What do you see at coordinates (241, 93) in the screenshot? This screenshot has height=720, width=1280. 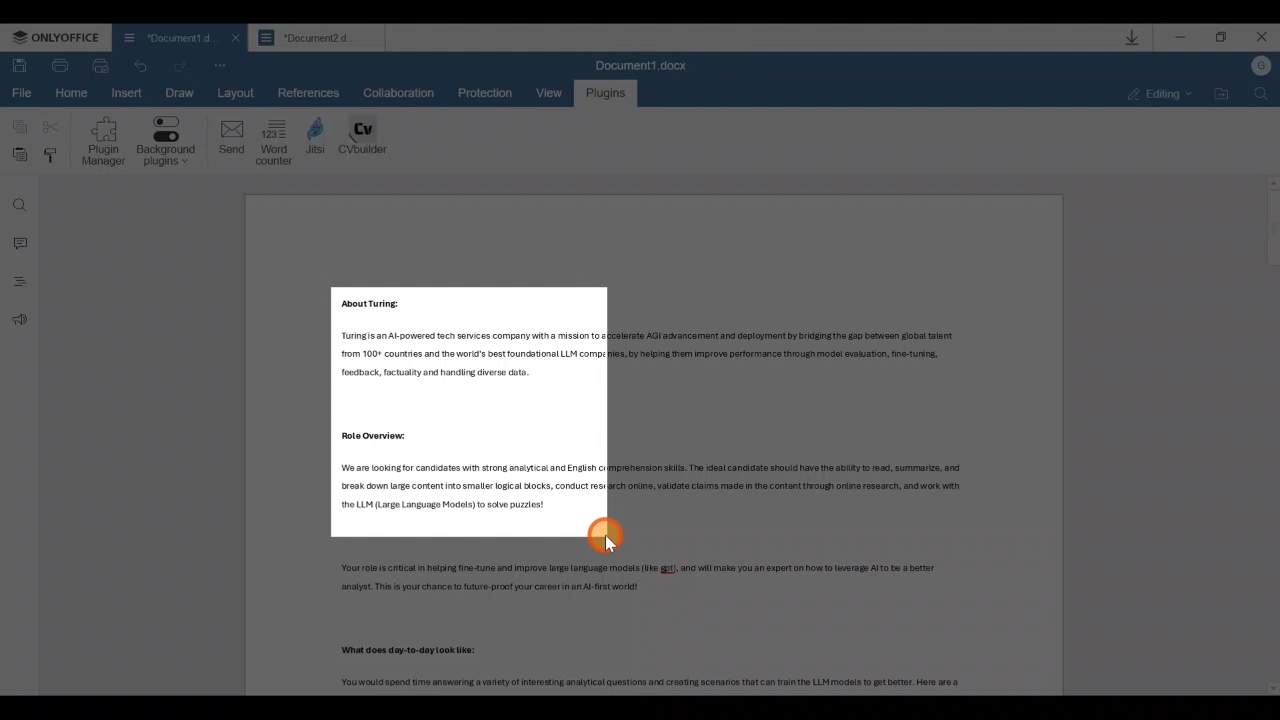 I see `Layout` at bounding box center [241, 93].